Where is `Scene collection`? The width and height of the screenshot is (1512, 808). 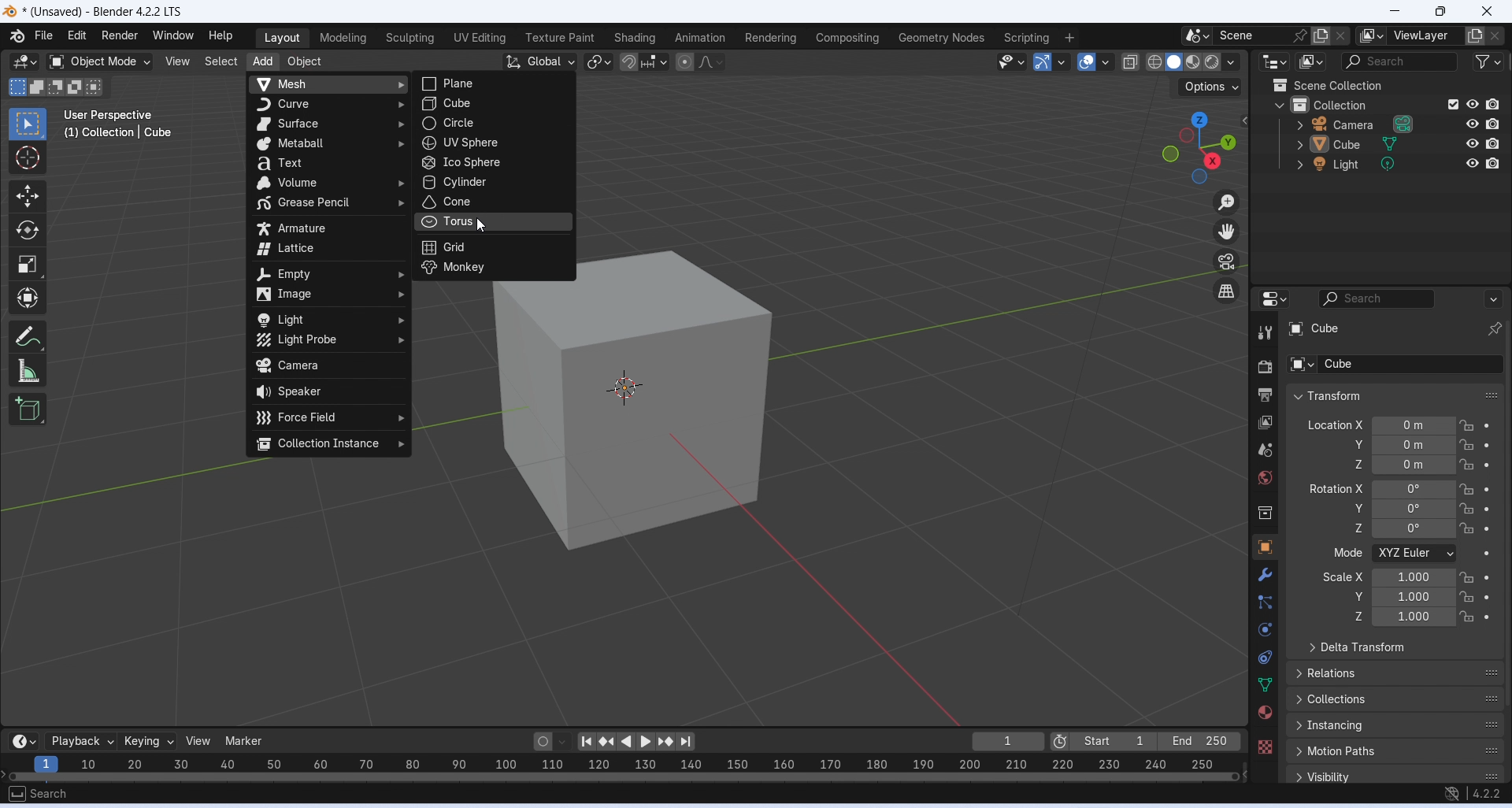
Scene collection is located at coordinates (1325, 85).